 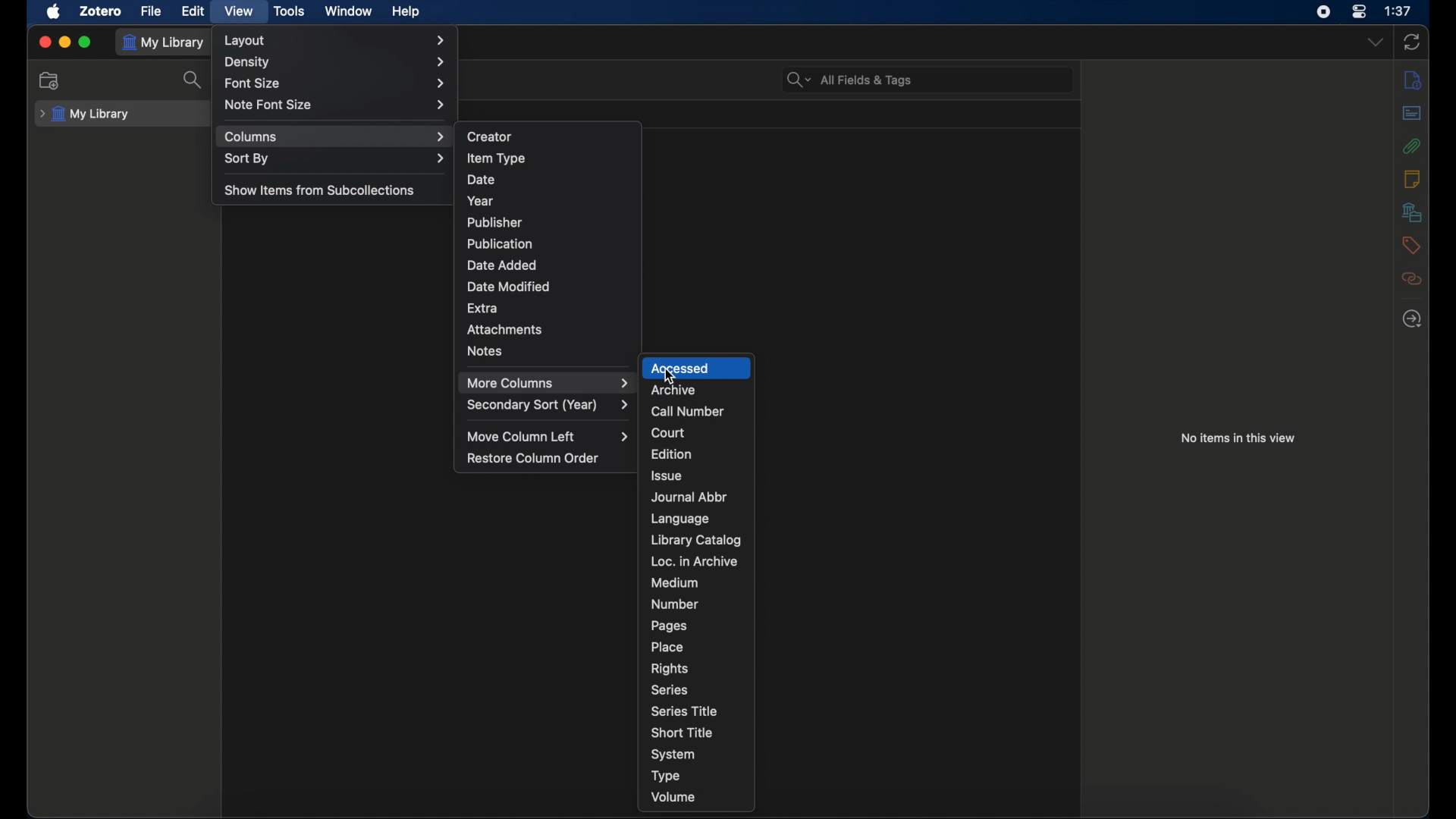 What do you see at coordinates (240, 12) in the screenshot?
I see `view` at bounding box center [240, 12].